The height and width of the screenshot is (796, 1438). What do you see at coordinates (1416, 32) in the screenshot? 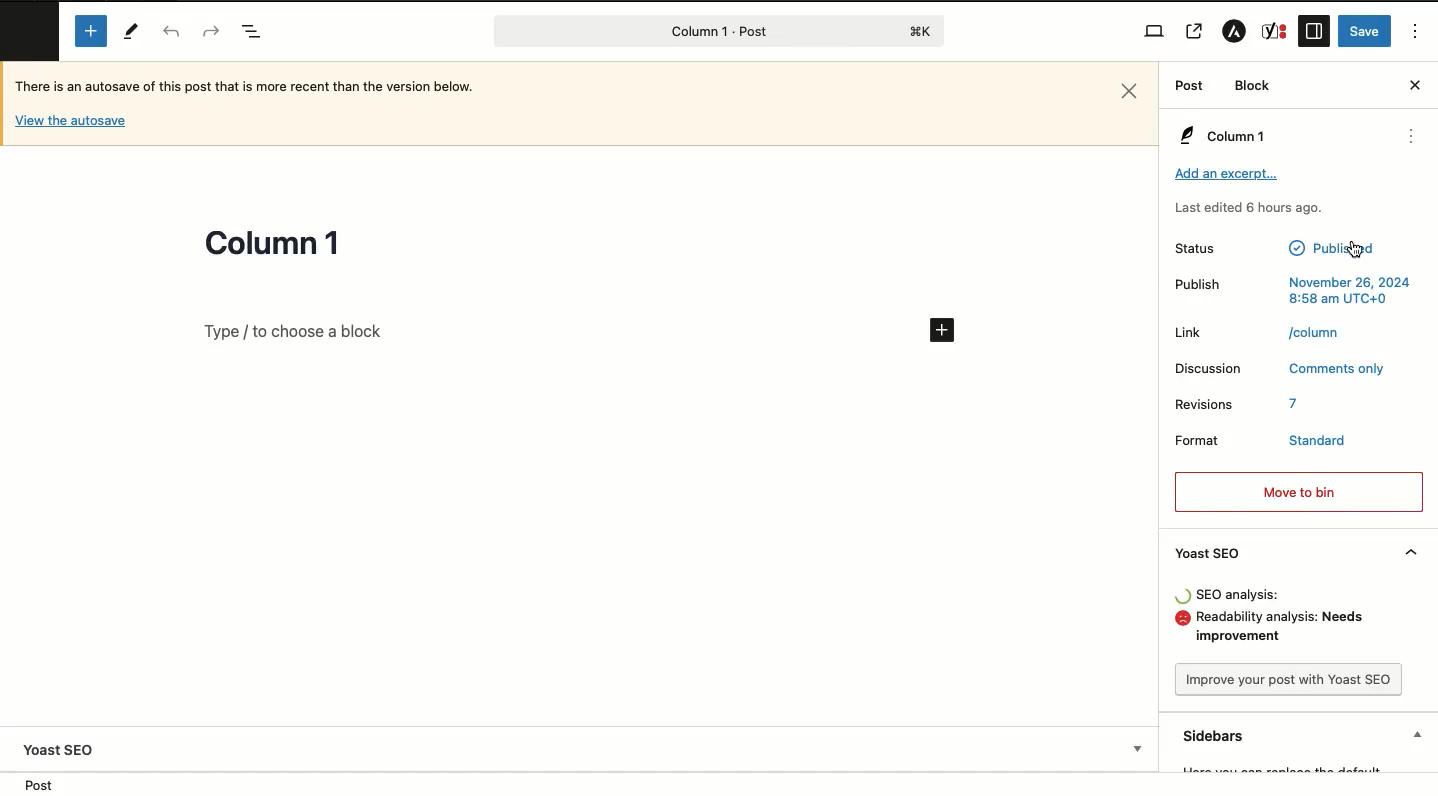
I see `Options` at bounding box center [1416, 32].